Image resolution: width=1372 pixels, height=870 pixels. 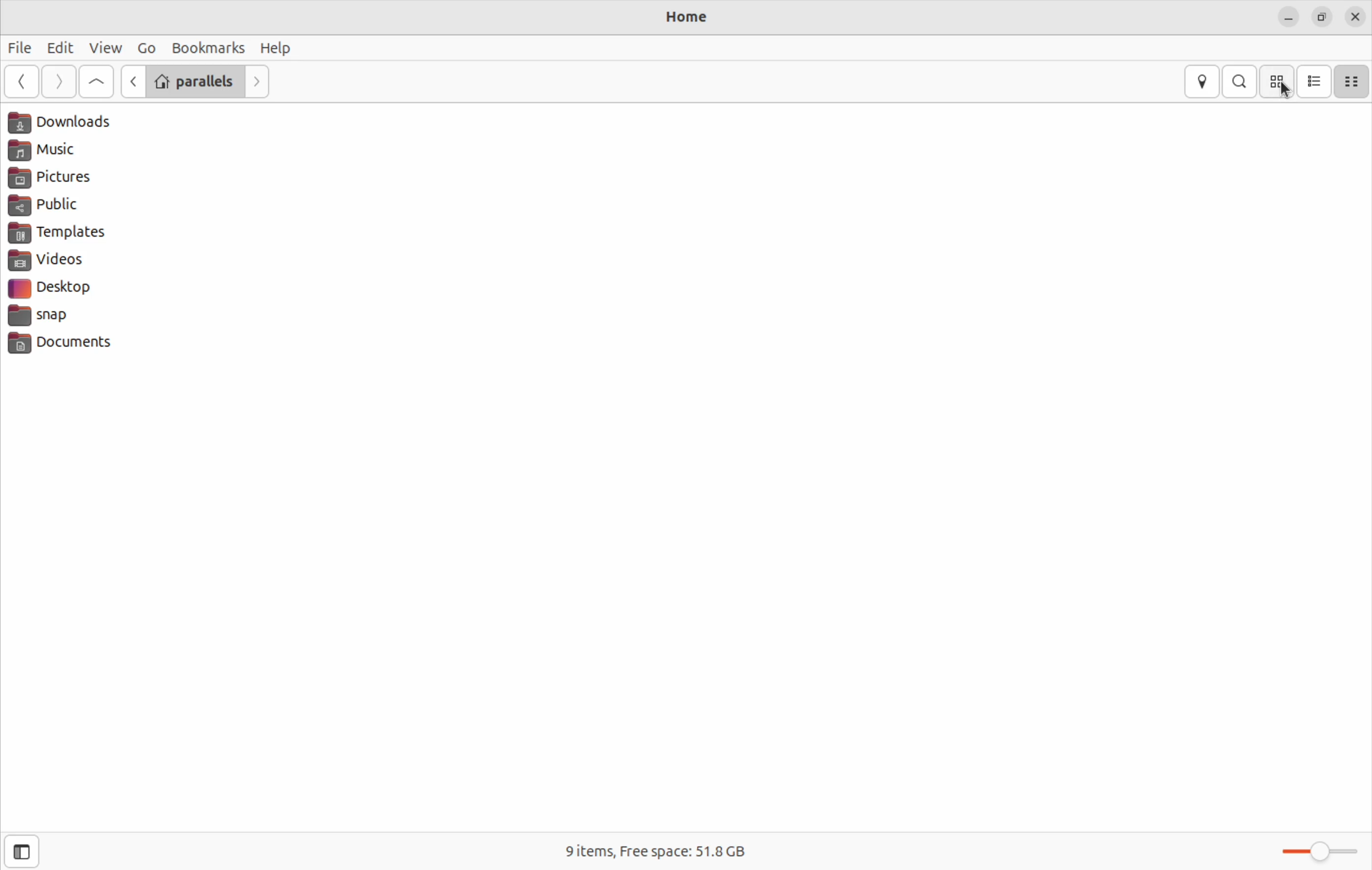 I want to click on Open side bar, so click(x=22, y=851).